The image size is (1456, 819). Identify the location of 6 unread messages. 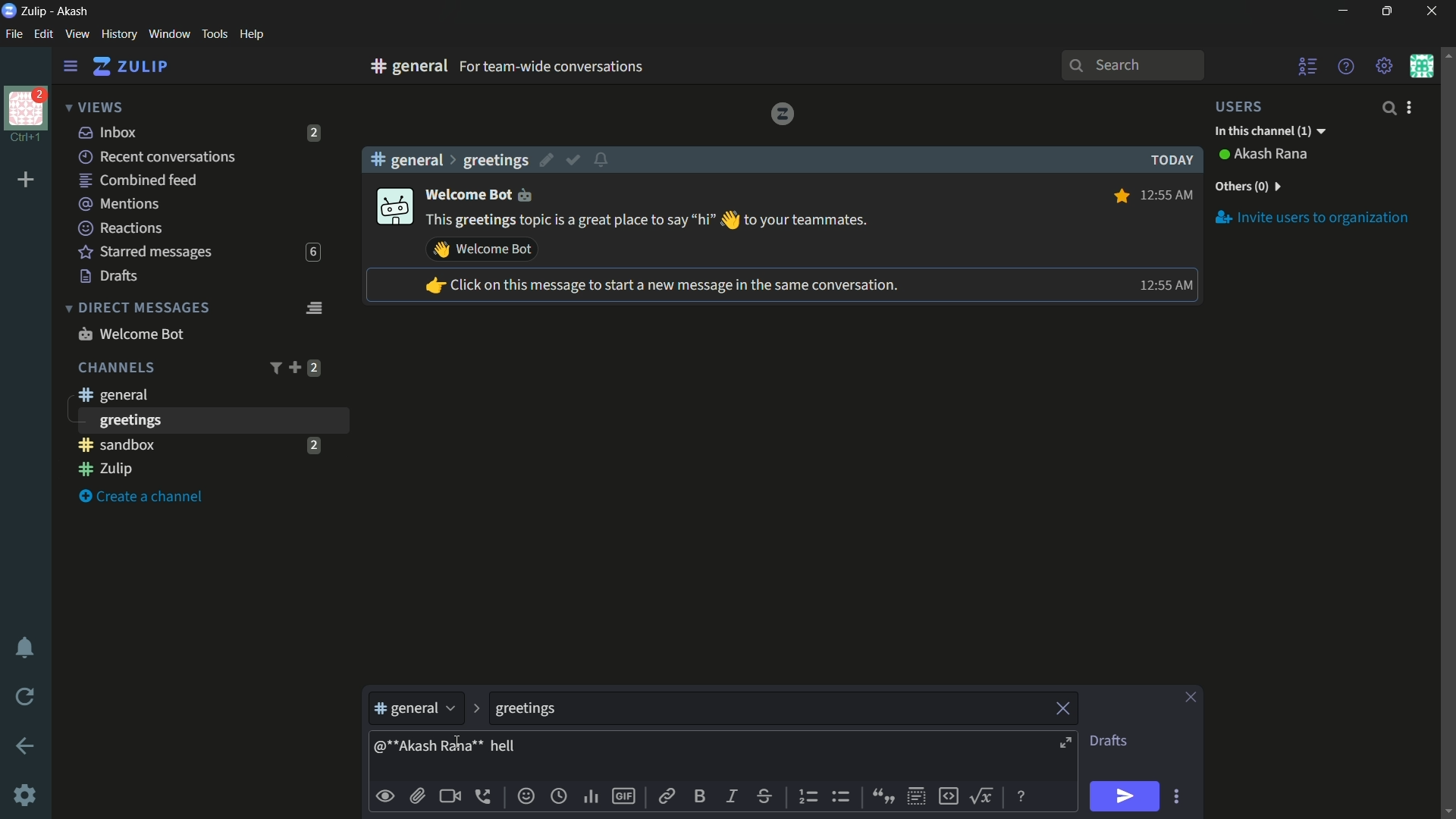
(312, 253).